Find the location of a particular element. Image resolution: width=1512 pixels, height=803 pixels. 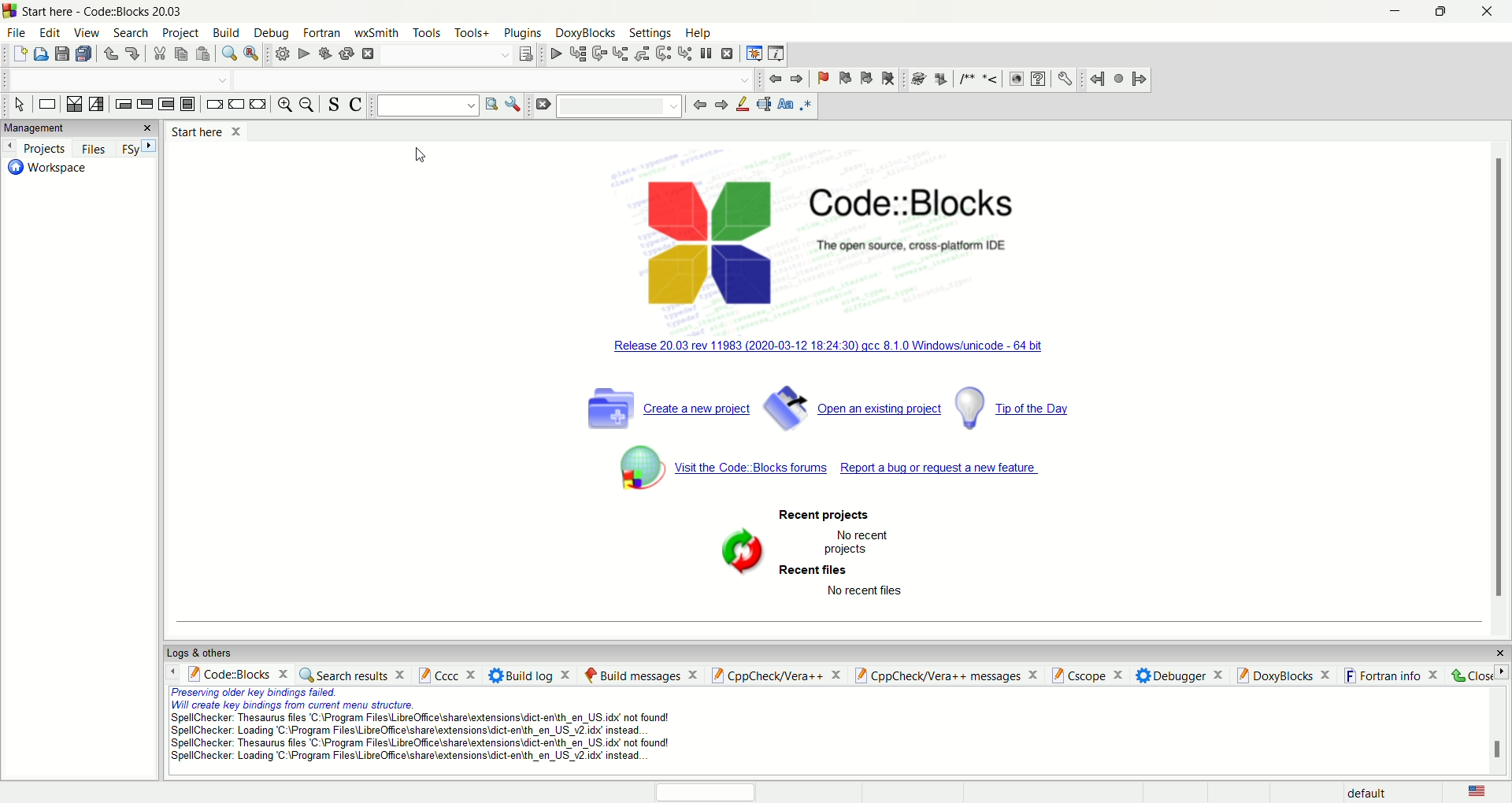

previous bookmark is located at coordinates (843, 77).